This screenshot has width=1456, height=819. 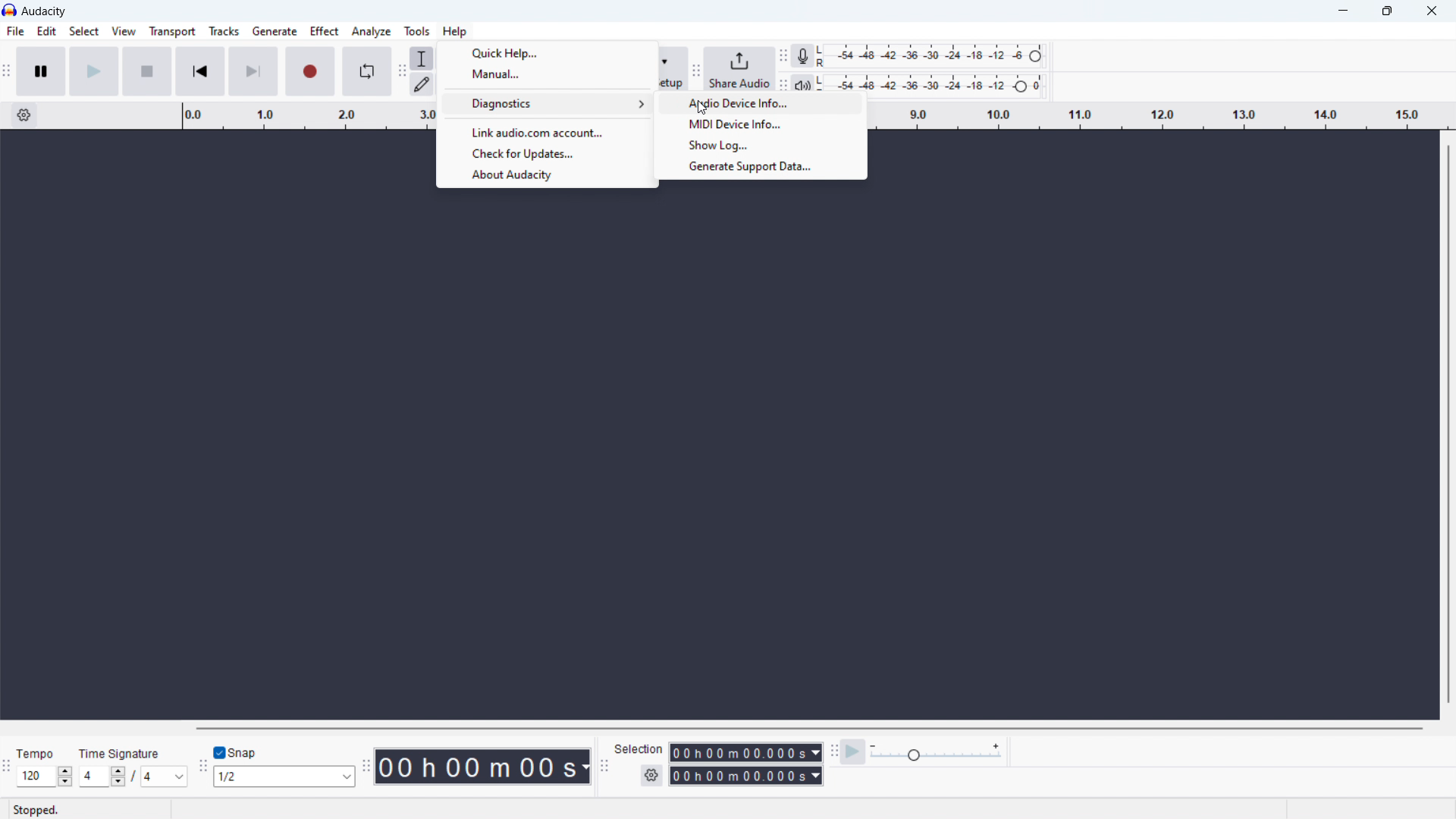 I want to click on playback meter toolbar, so click(x=785, y=83).